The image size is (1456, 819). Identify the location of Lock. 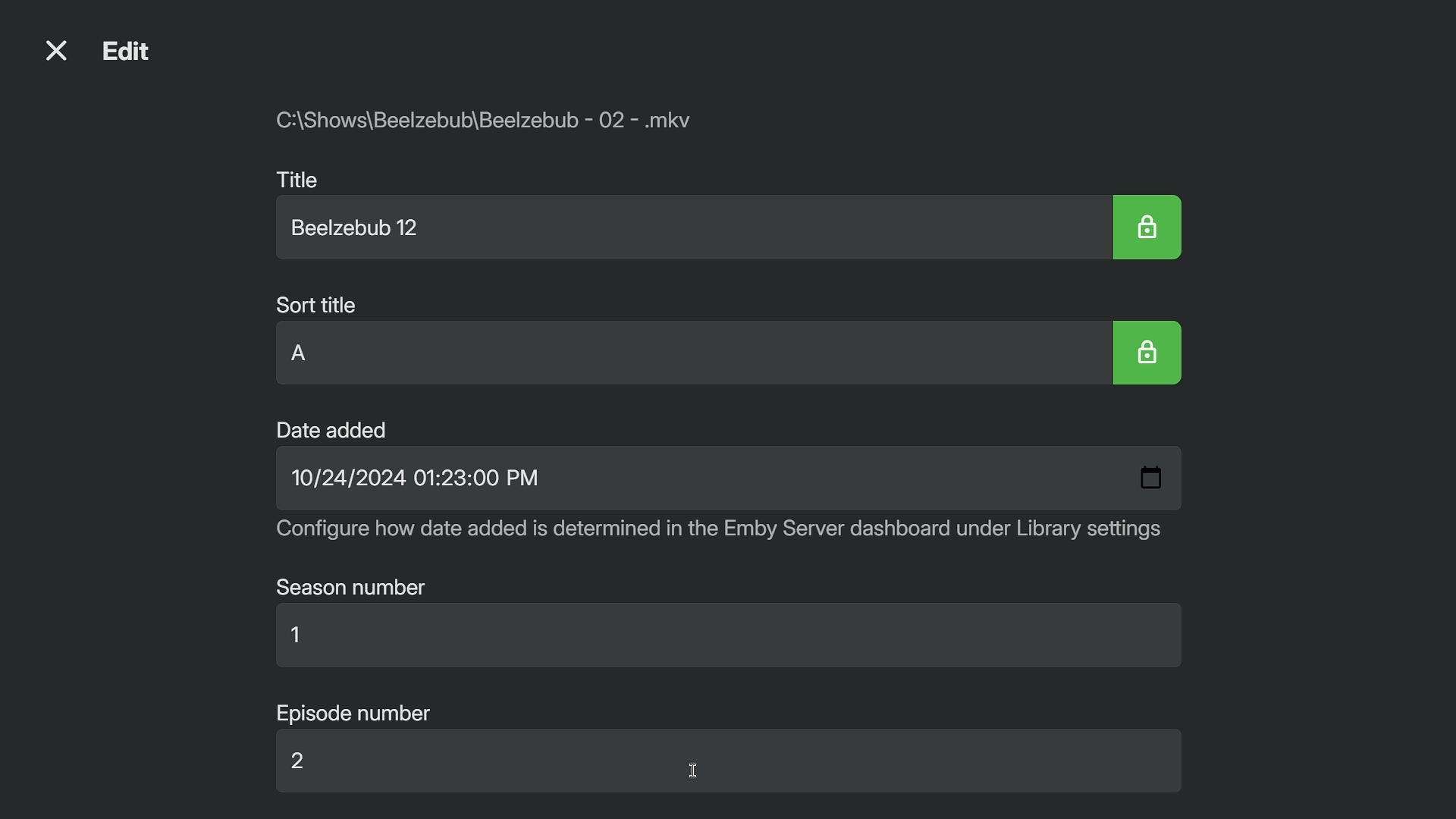
(1153, 355).